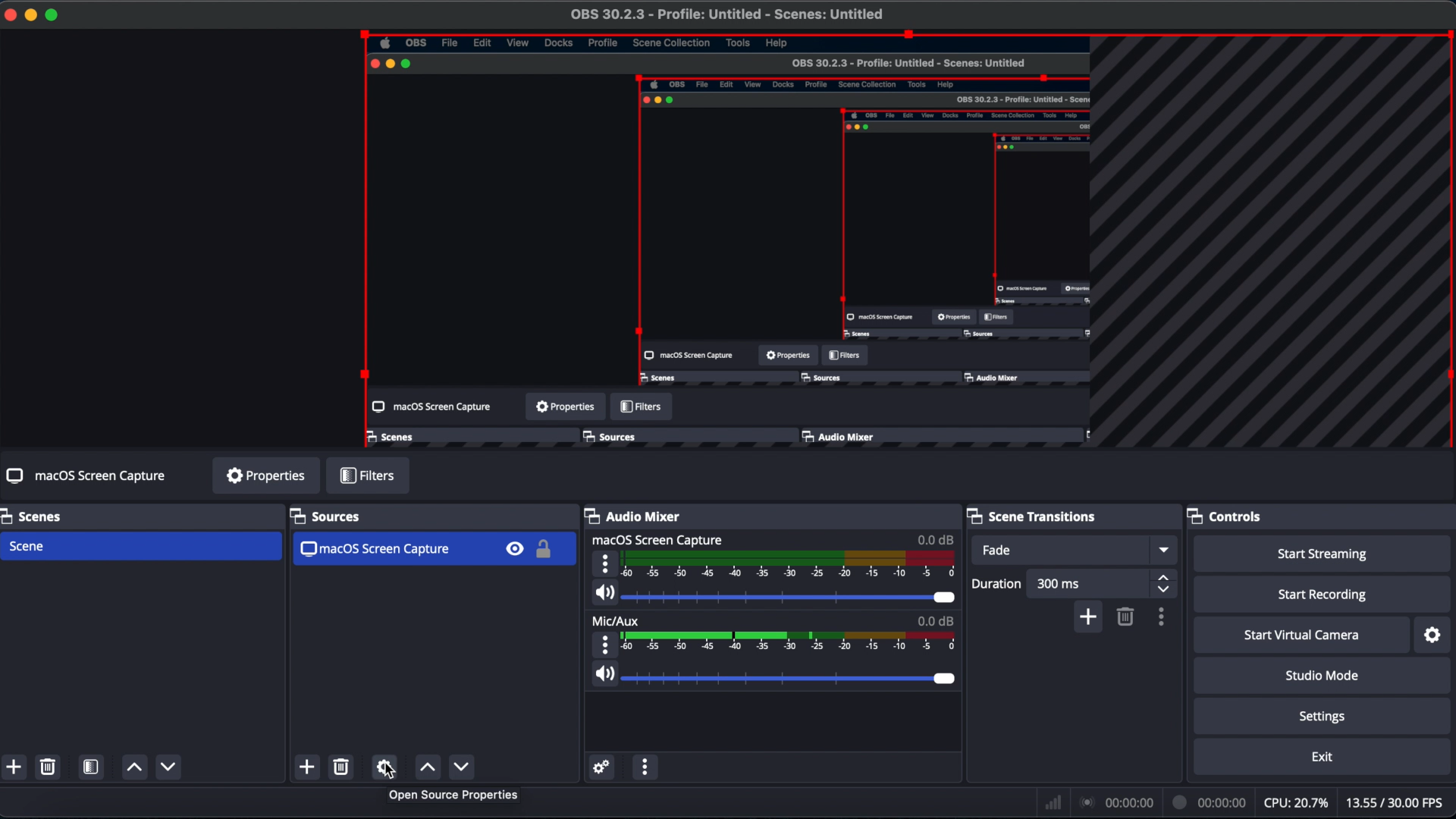 The height and width of the screenshot is (819, 1456). What do you see at coordinates (1446, 238) in the screenshot?
I see `selection highlight` at bounding box center [1446, 238].